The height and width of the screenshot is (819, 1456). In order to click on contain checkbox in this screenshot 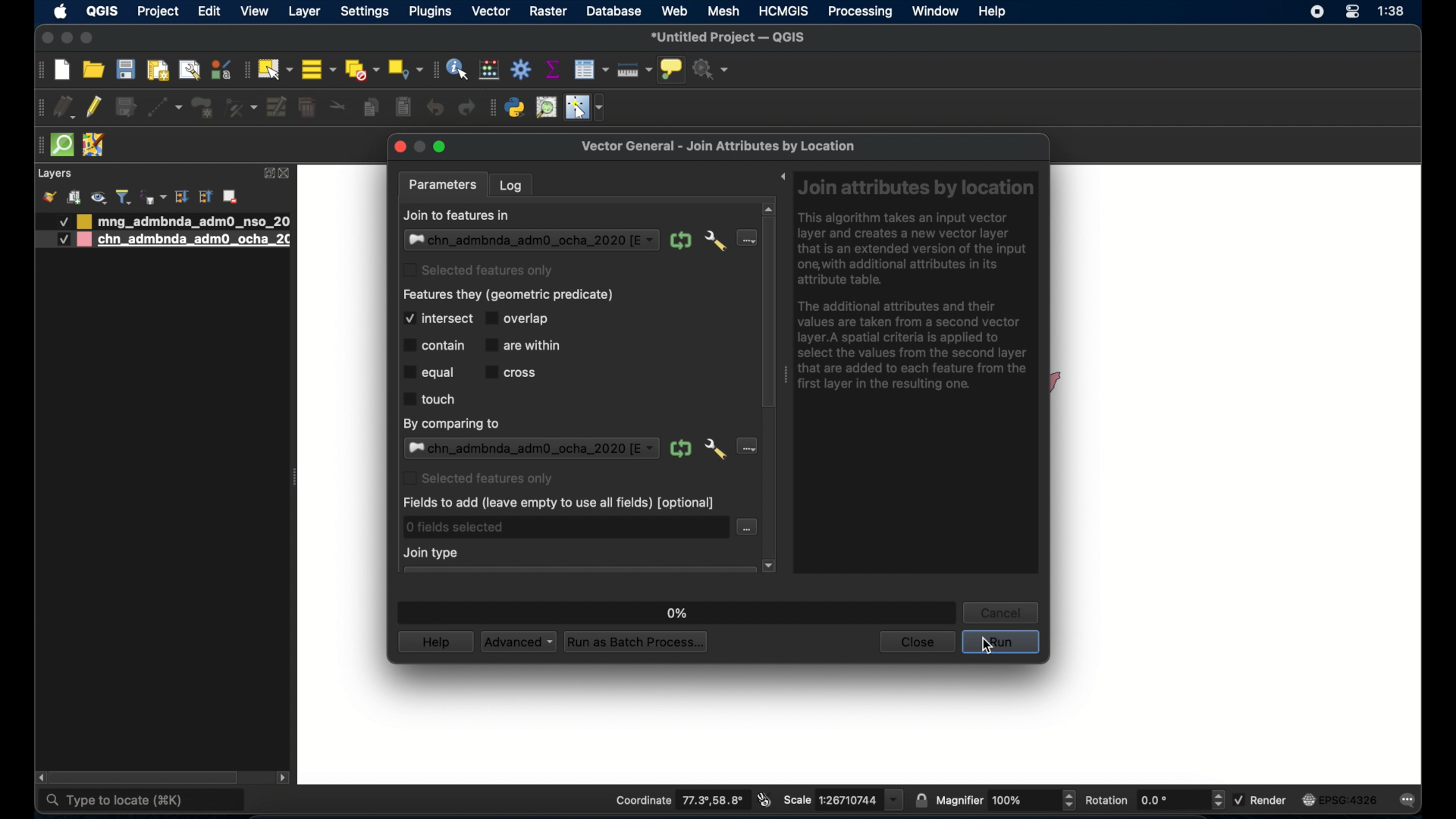, I will do `click(433, 346)`.